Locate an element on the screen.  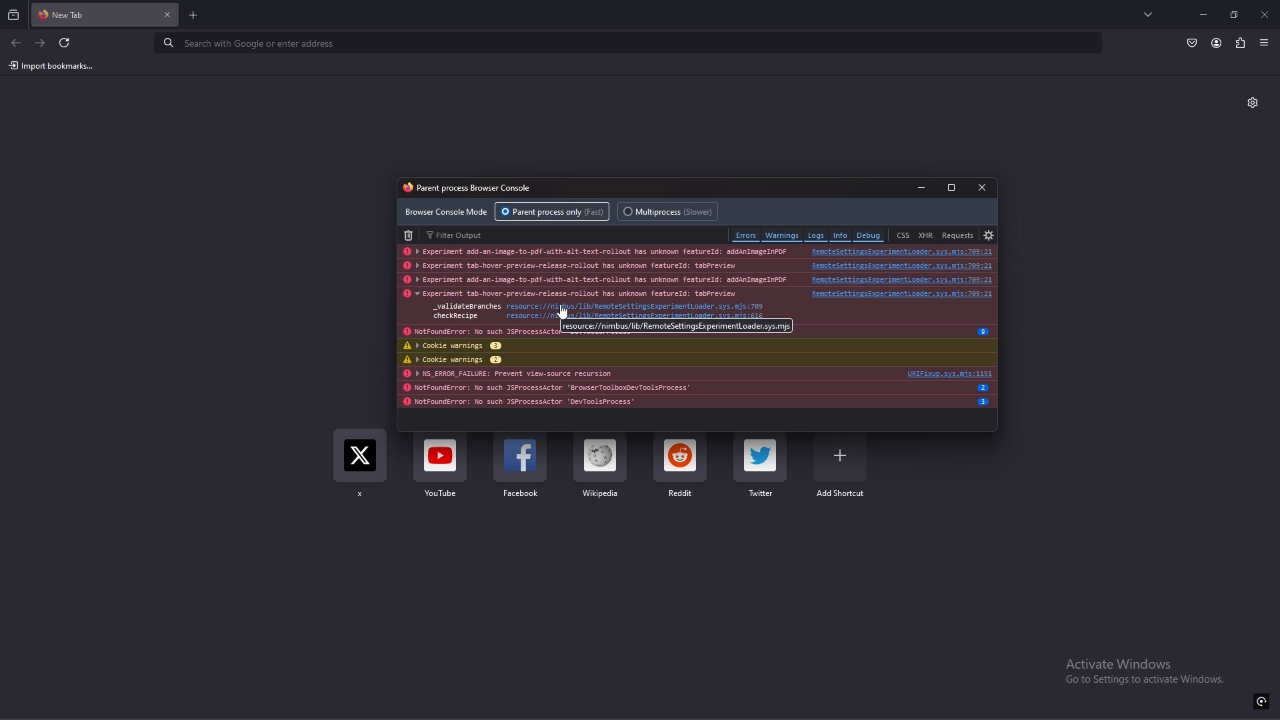
search bar is located at coordinates (628, 45).